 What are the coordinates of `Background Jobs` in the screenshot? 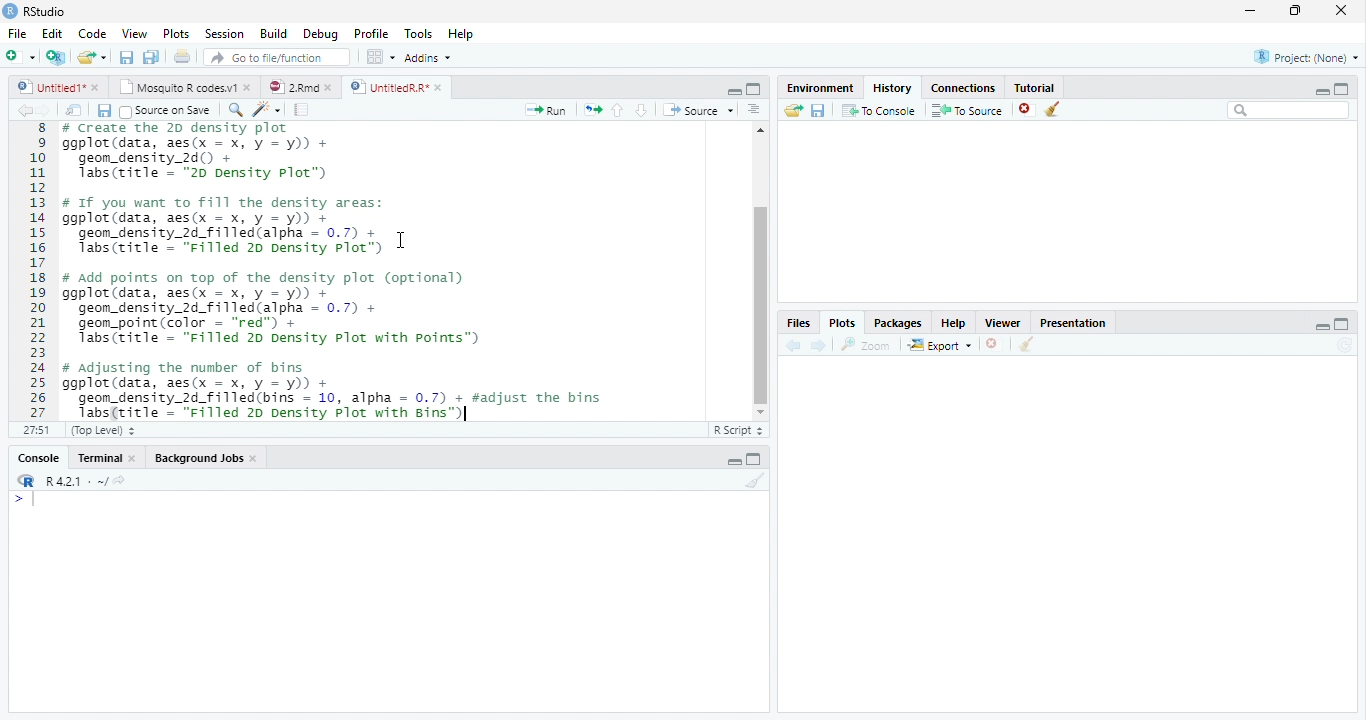 It's located at (200, 459).